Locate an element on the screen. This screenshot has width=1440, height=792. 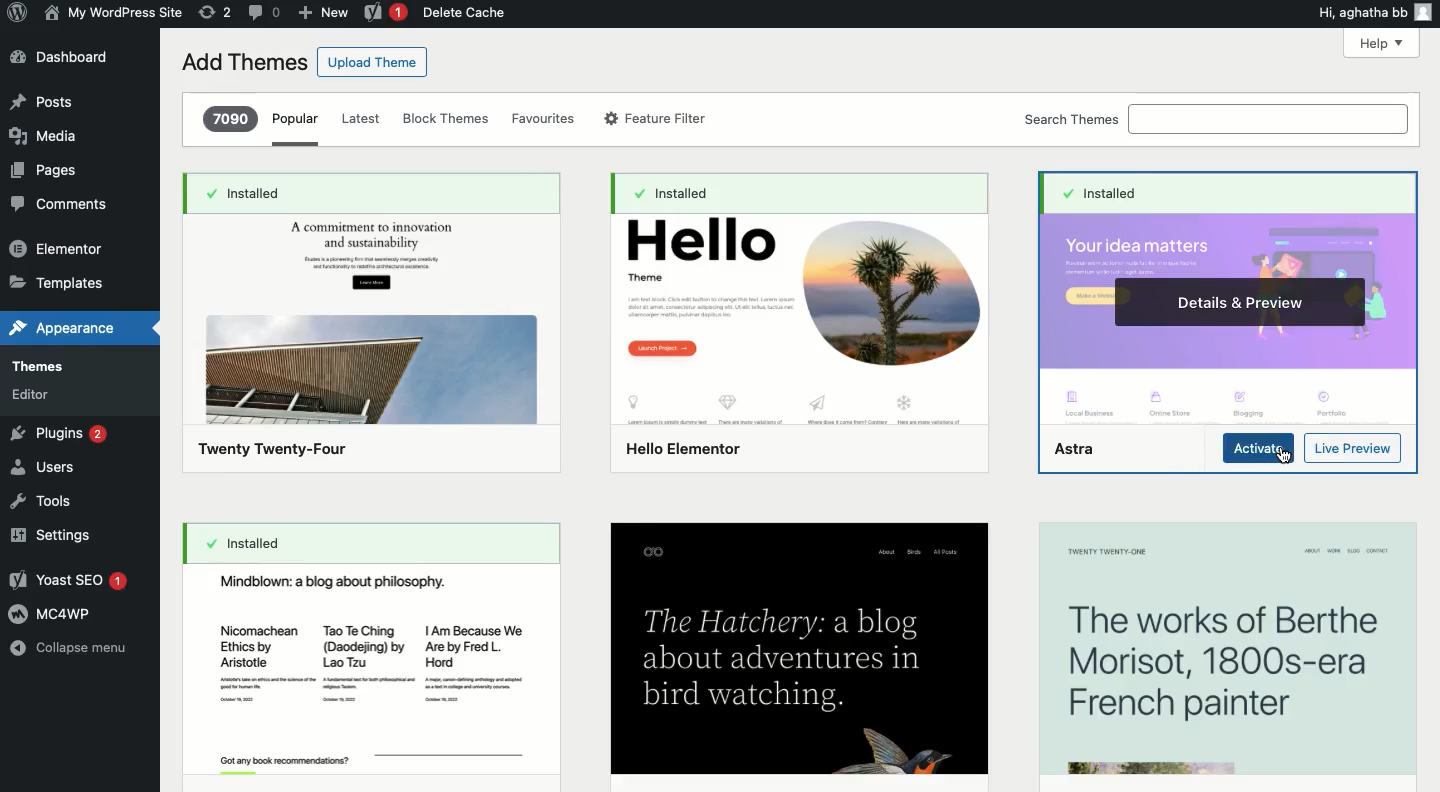
Yoast 1 is located at coordinates (385, 13).